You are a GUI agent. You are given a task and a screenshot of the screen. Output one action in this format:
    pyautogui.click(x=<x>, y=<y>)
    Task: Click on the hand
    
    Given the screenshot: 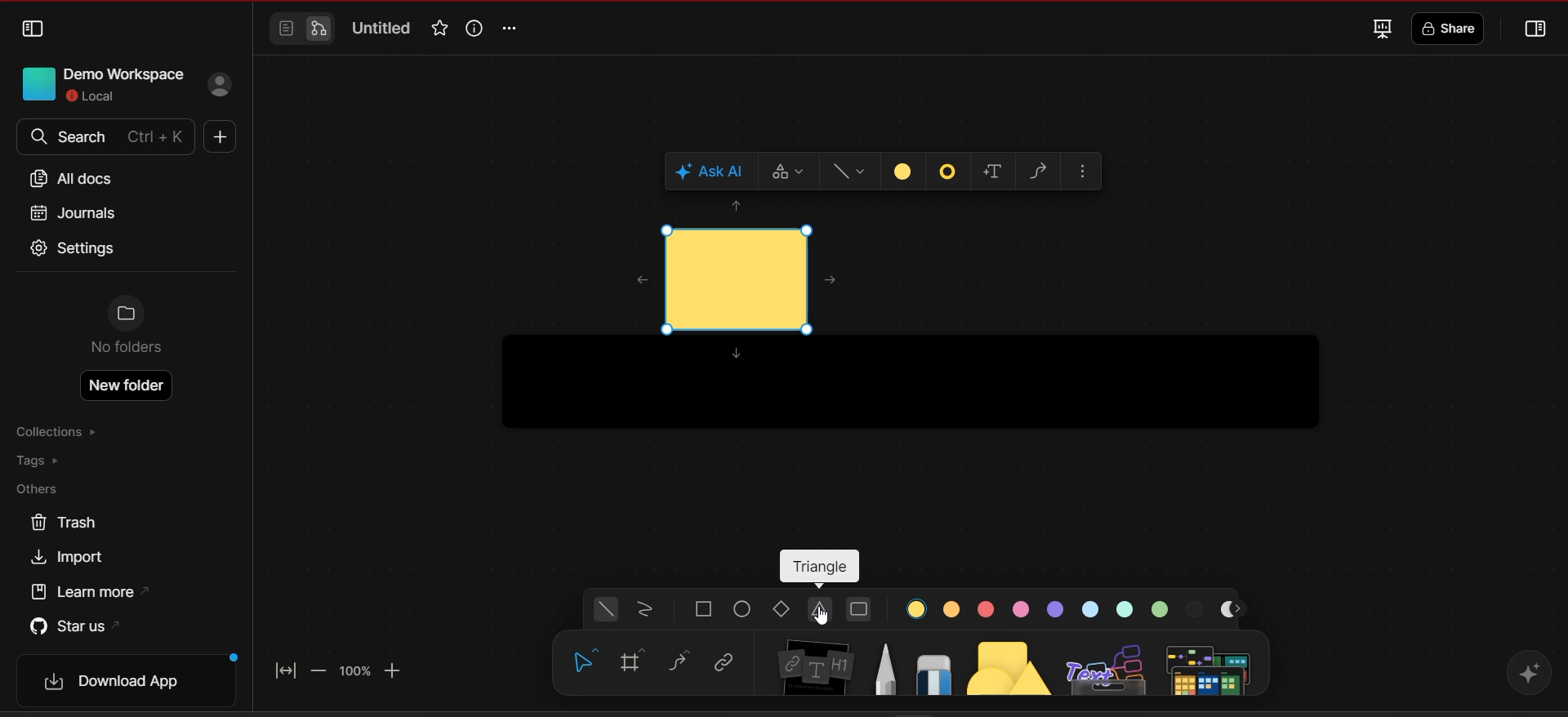 What is the action you would take?
    pyautogui.click(x=581, y=664)
    